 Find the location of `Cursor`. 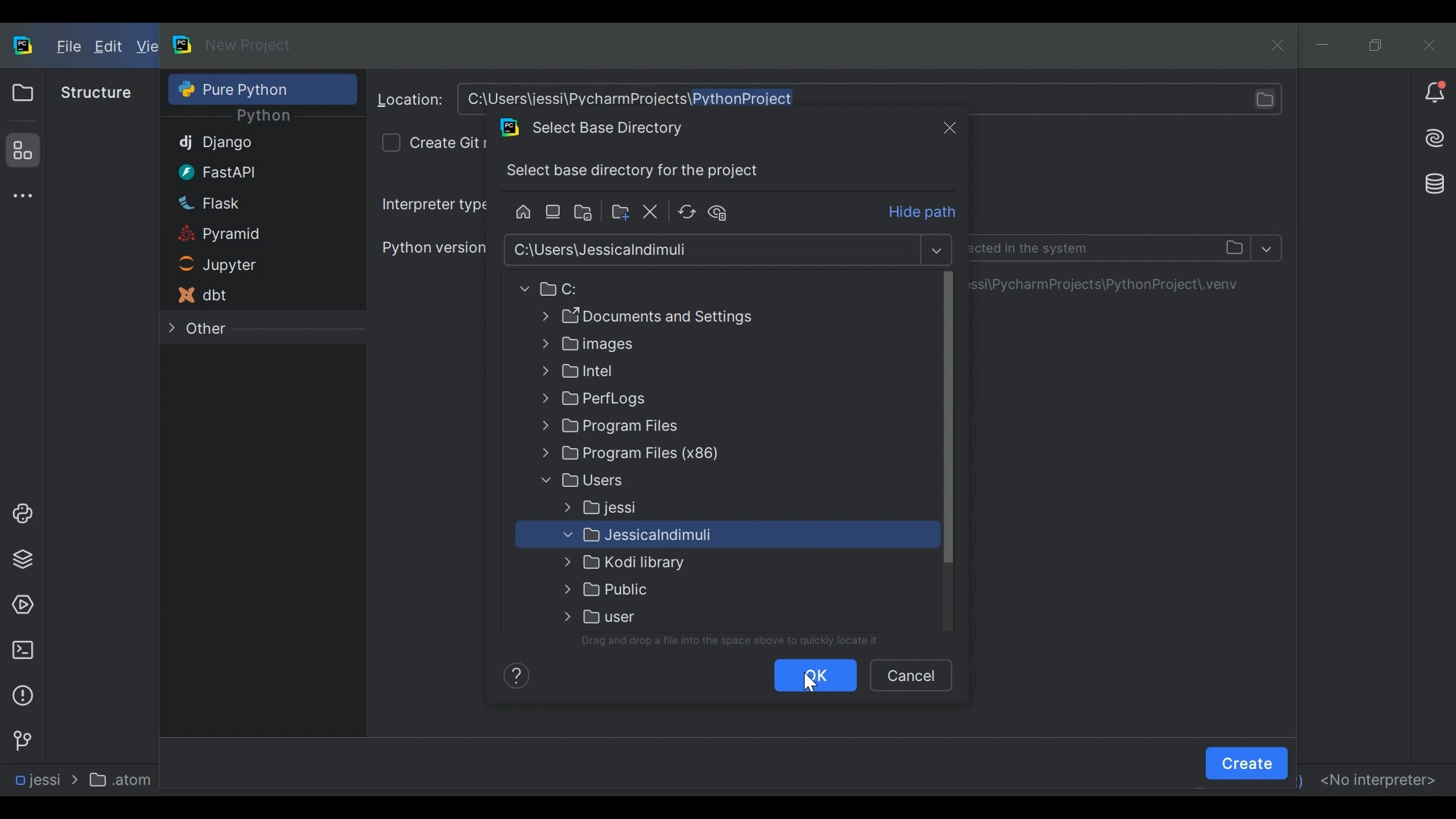

Cursor is located at coordinates (811, 682).